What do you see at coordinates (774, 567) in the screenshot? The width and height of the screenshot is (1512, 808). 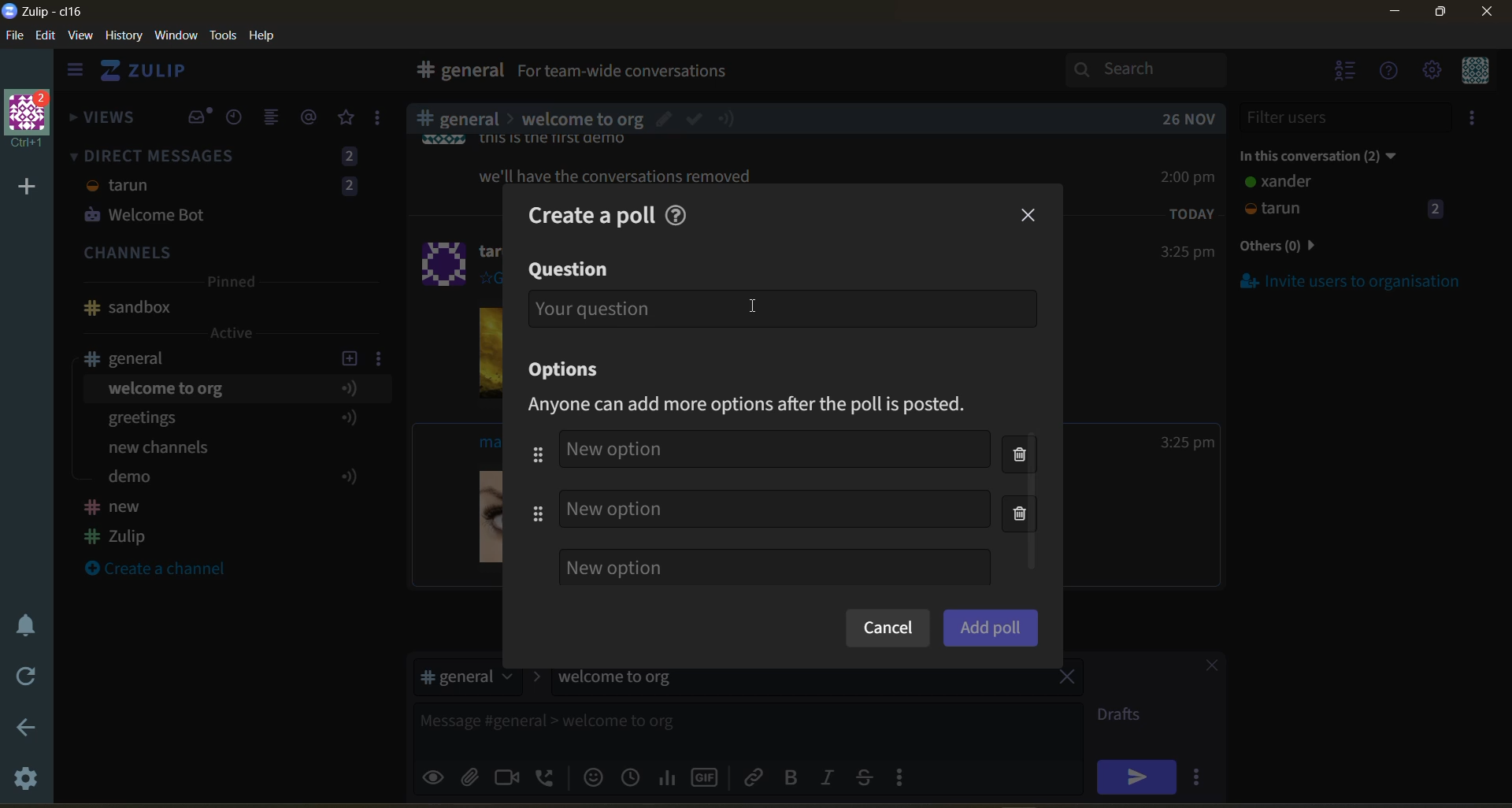 I see `new option` at bounding box center [774, 567].